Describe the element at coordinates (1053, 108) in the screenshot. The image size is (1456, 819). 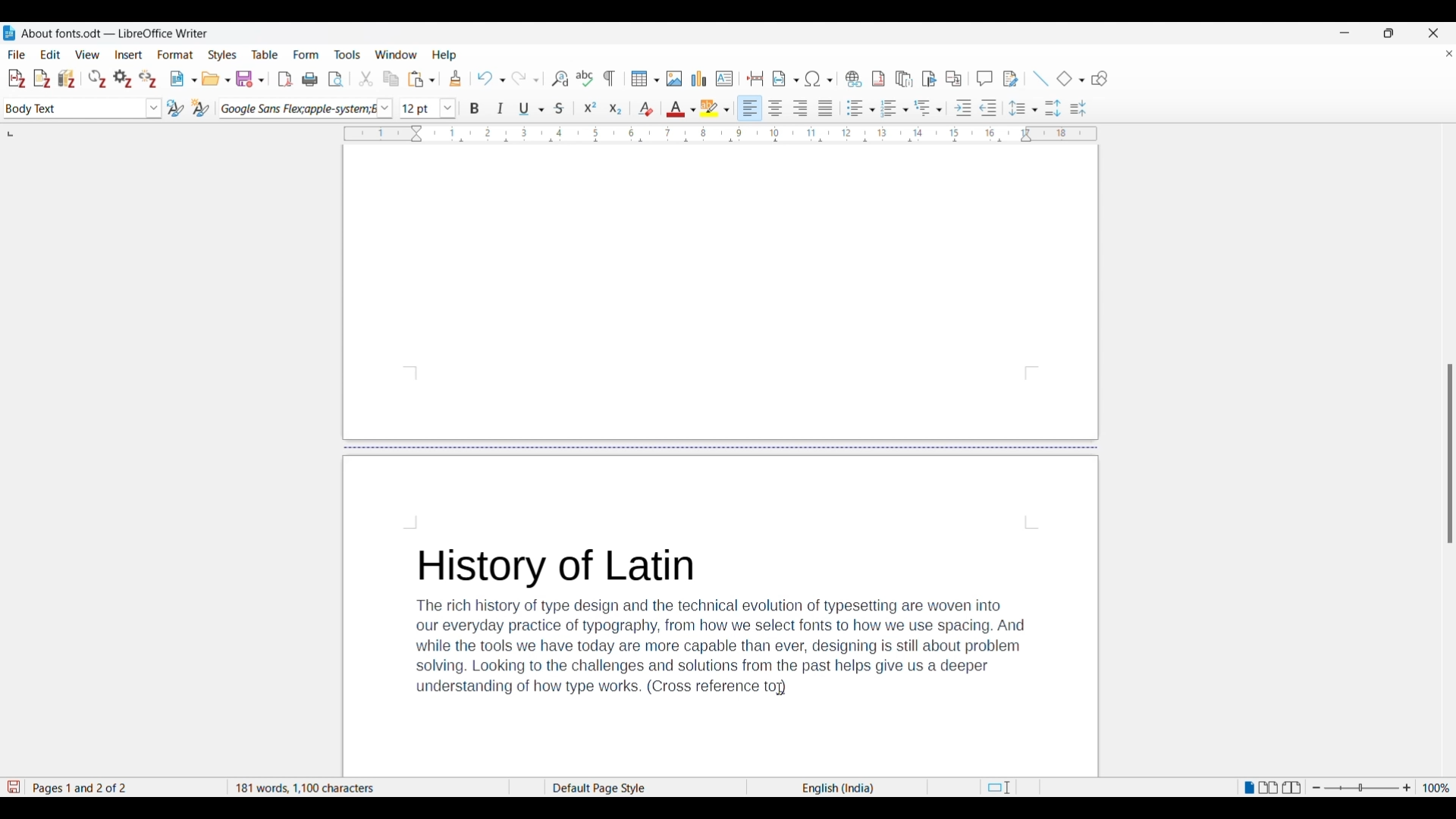
I see `Increase paragraph spacing` at that location.